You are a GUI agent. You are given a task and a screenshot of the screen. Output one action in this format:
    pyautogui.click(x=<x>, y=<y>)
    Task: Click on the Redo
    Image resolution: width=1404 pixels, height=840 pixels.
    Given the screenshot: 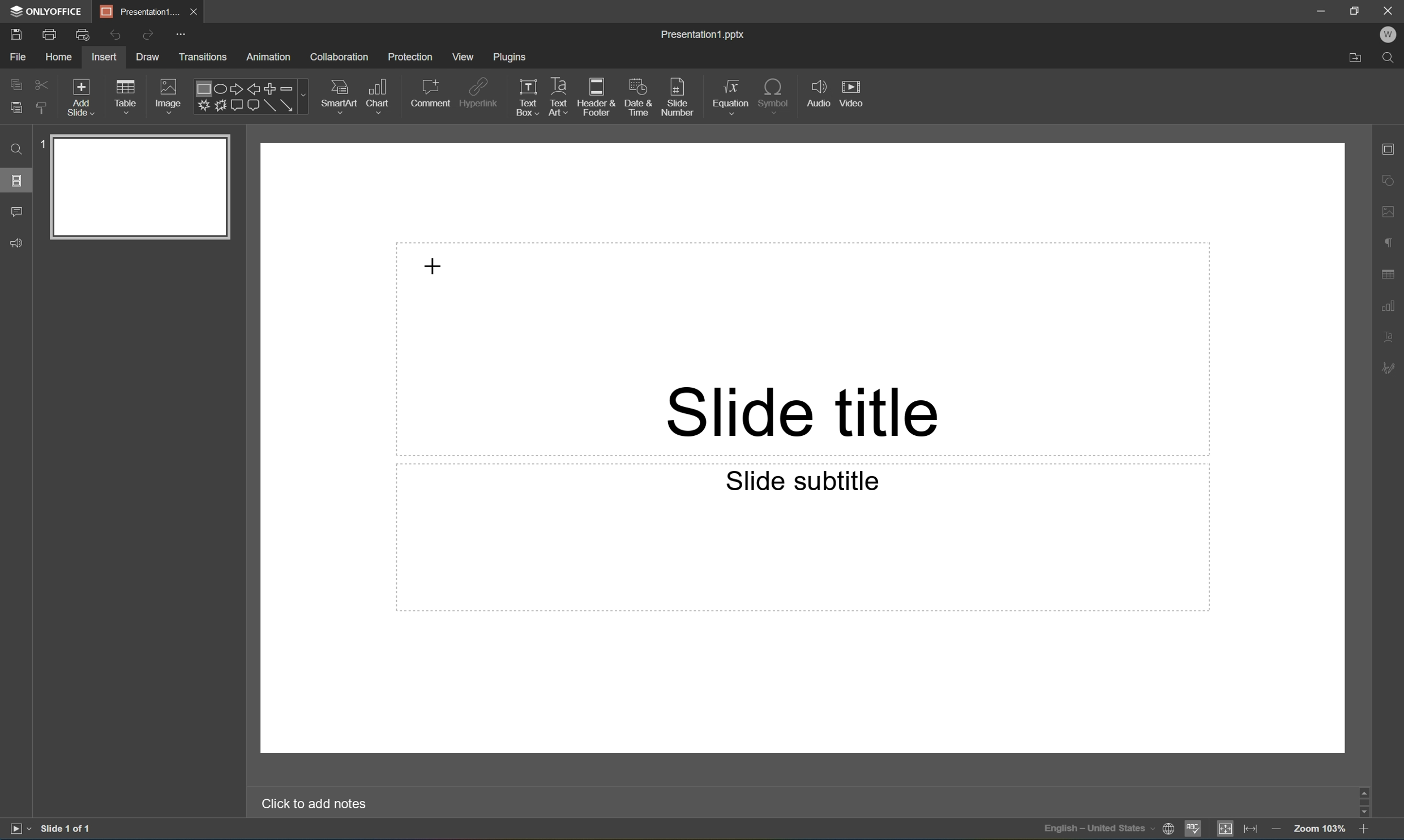 What is the action you would take?
    pyautogui.click(x=147, y=36)
    